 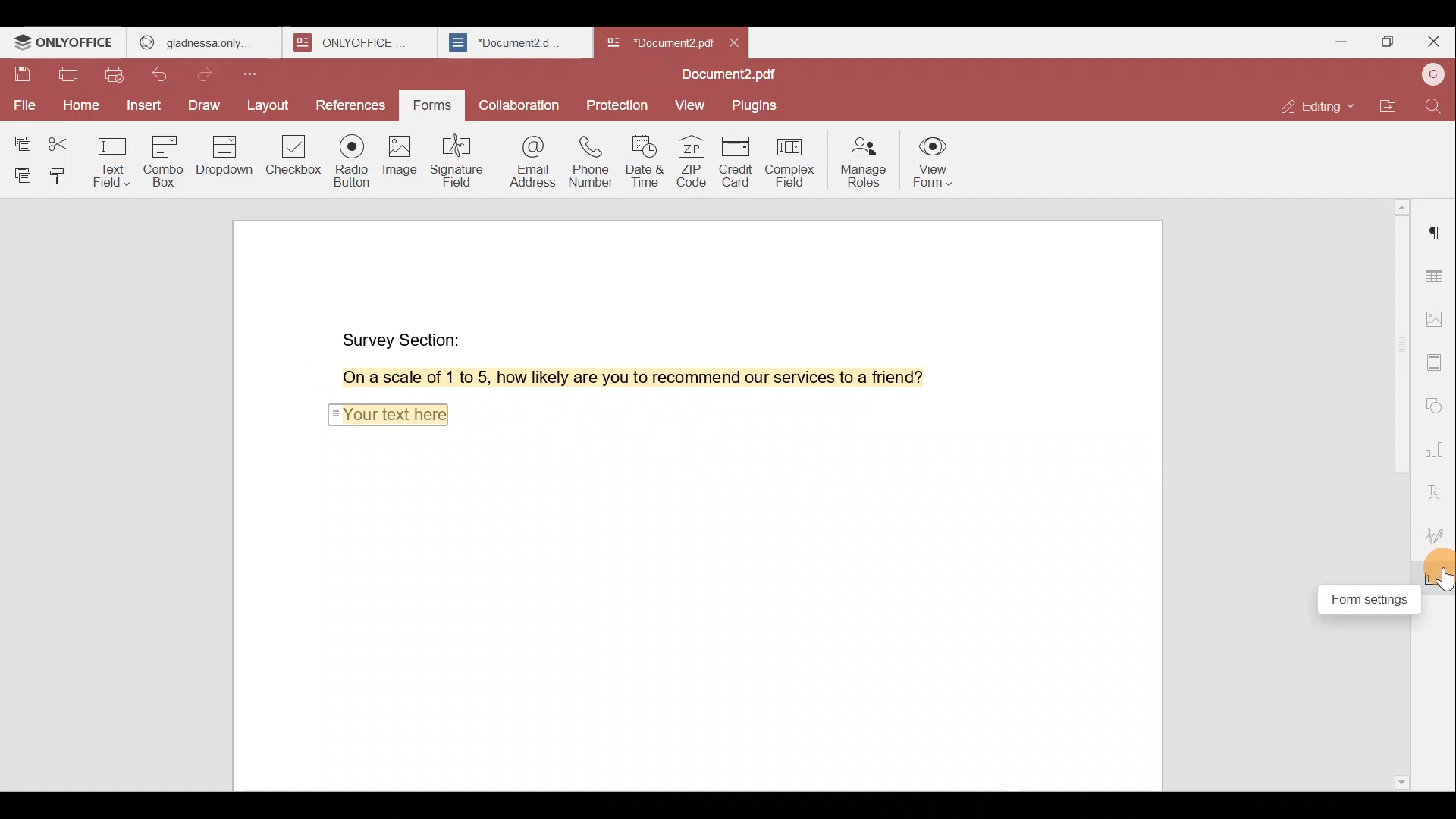 What do you see at coordinates (644, 378) in the screenshot?
I see `On a scale of 1 to 5, how likely are you to recommend our services to a friend?` at bounding box center [644, 378].